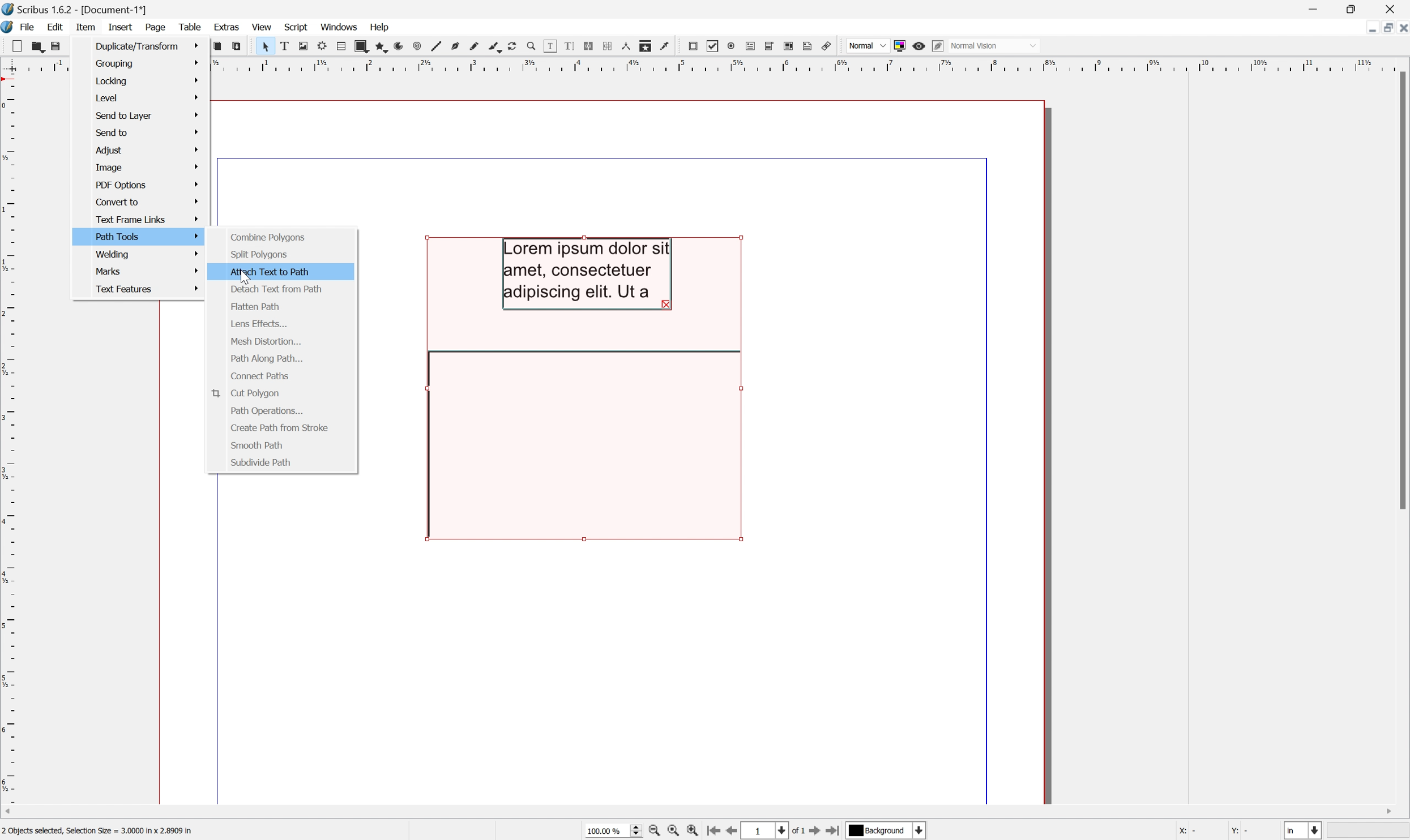 The height and width of the screenshot is (840, 1410). What do you see at coordinates (262, 462) in the screenshot?
I see `Subdivide path` at bounding box center [262, 462].